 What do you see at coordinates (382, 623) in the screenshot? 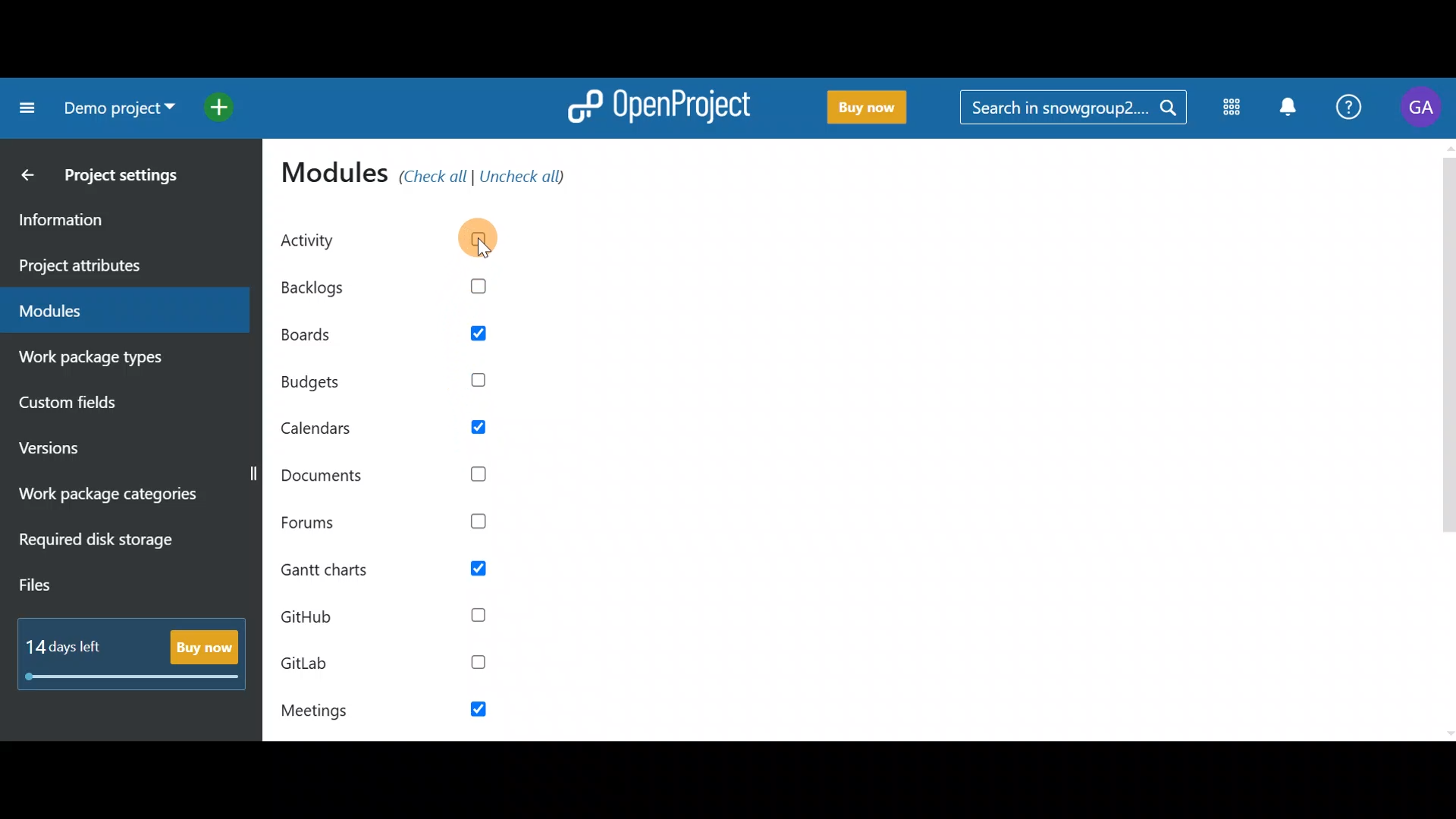
I see `Github` at bounding box center [382, 623].